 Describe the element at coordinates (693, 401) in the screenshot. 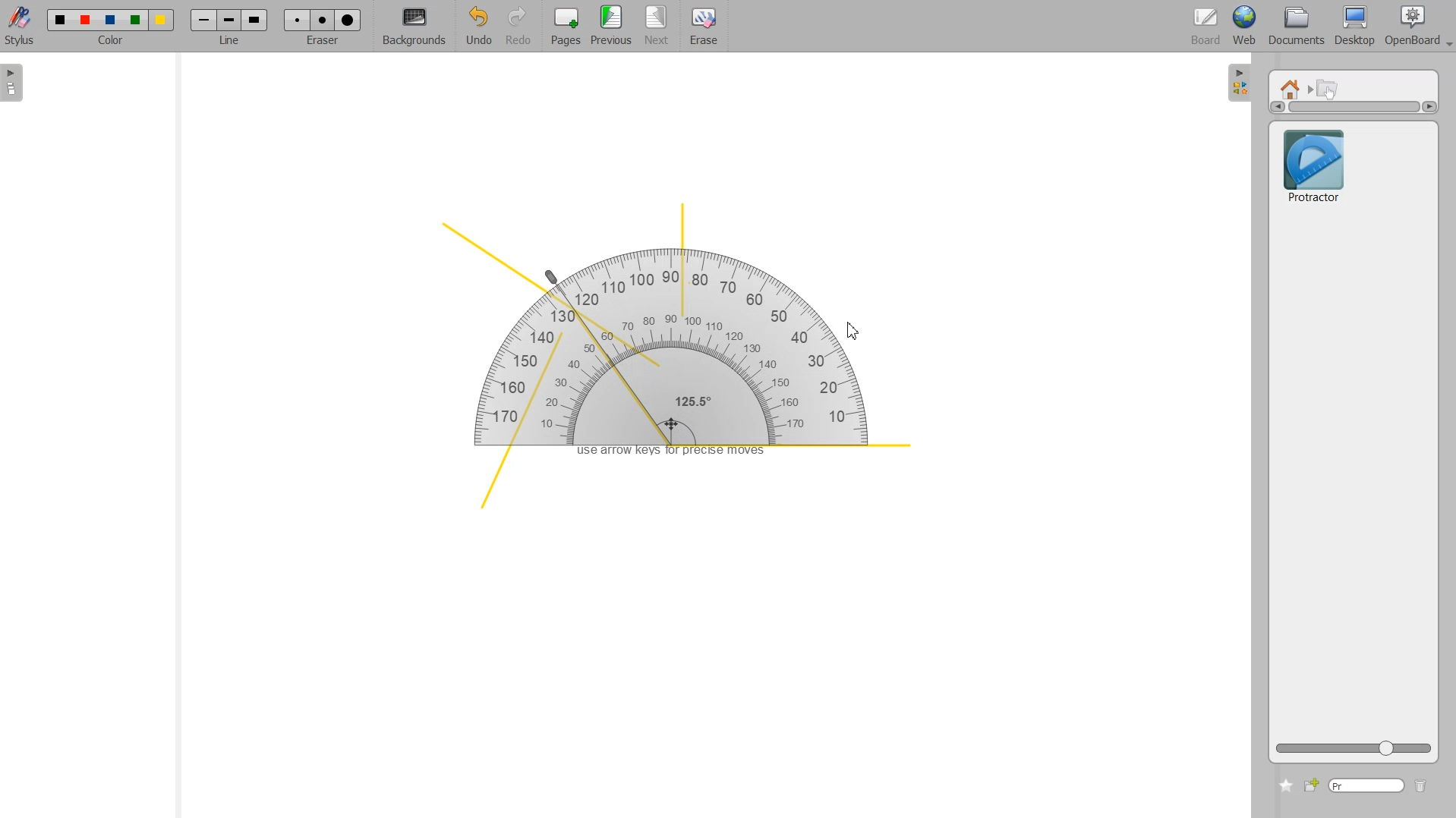

I see `125.5` at that location.